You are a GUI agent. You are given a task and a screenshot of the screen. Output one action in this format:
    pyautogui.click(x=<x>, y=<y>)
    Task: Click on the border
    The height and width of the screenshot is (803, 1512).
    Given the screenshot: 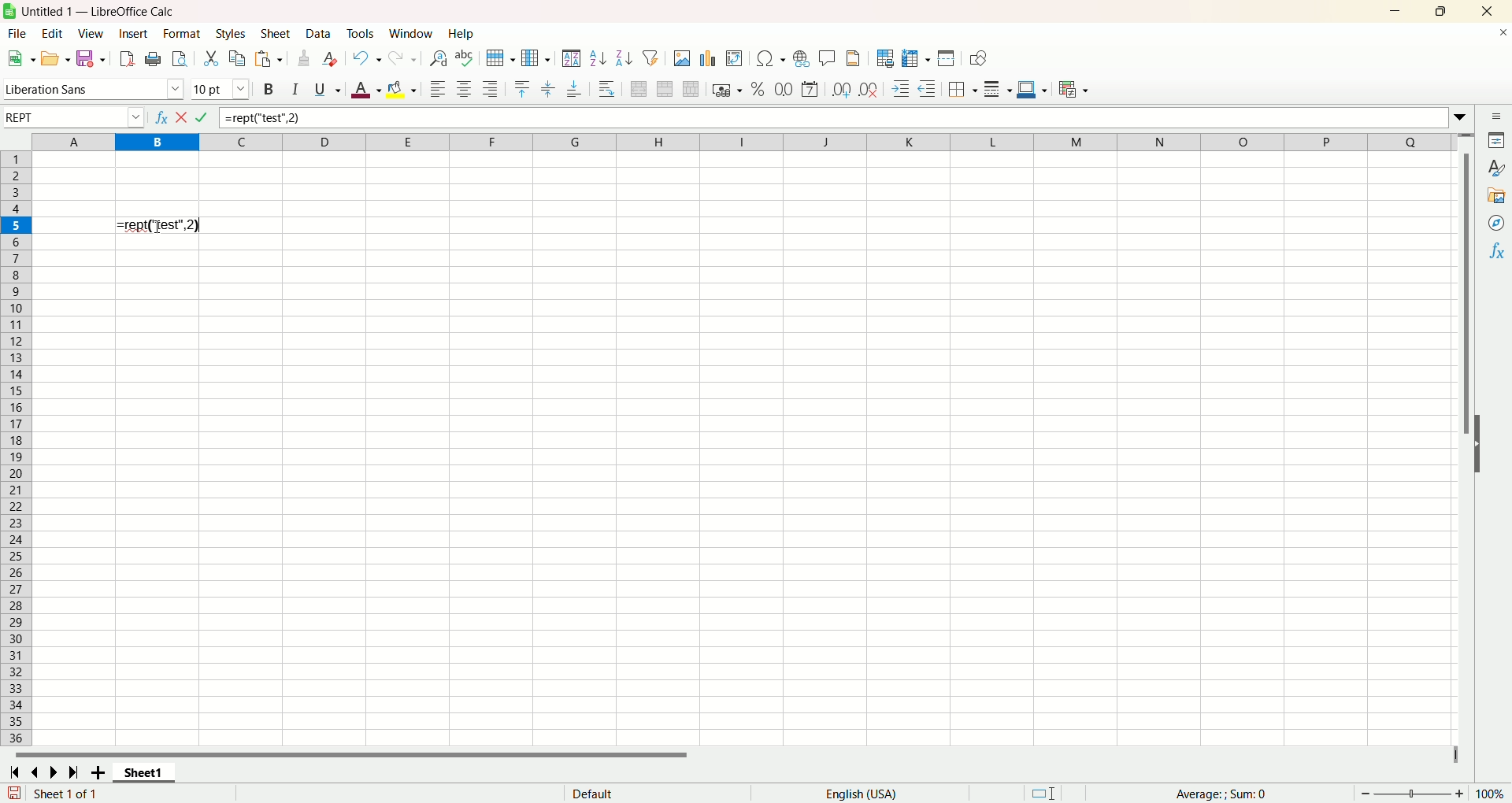 What is the action you would take?
    pyautogui.click(x=963, y=91)
    